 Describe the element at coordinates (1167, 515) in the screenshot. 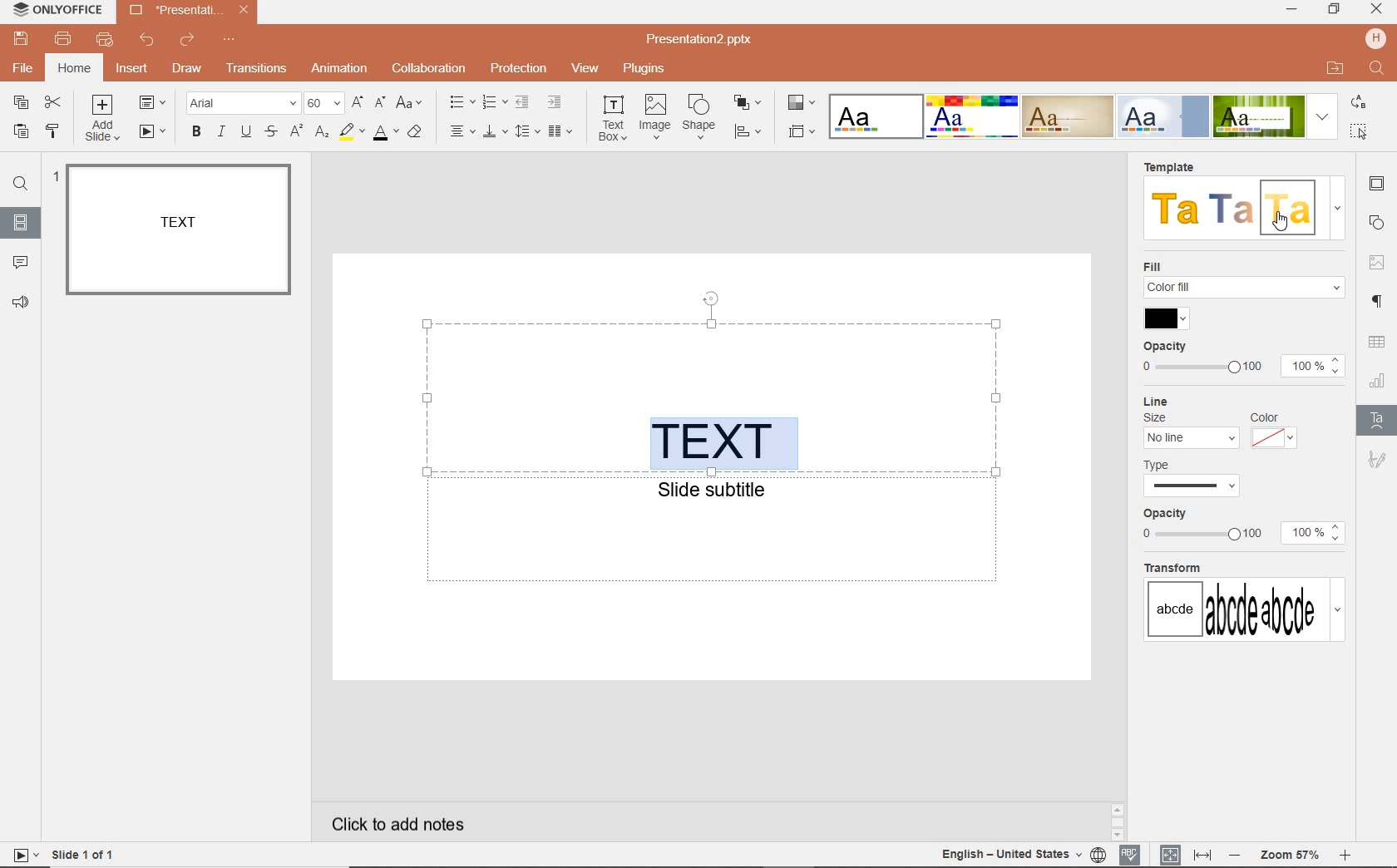

I see `opacity` at that location.